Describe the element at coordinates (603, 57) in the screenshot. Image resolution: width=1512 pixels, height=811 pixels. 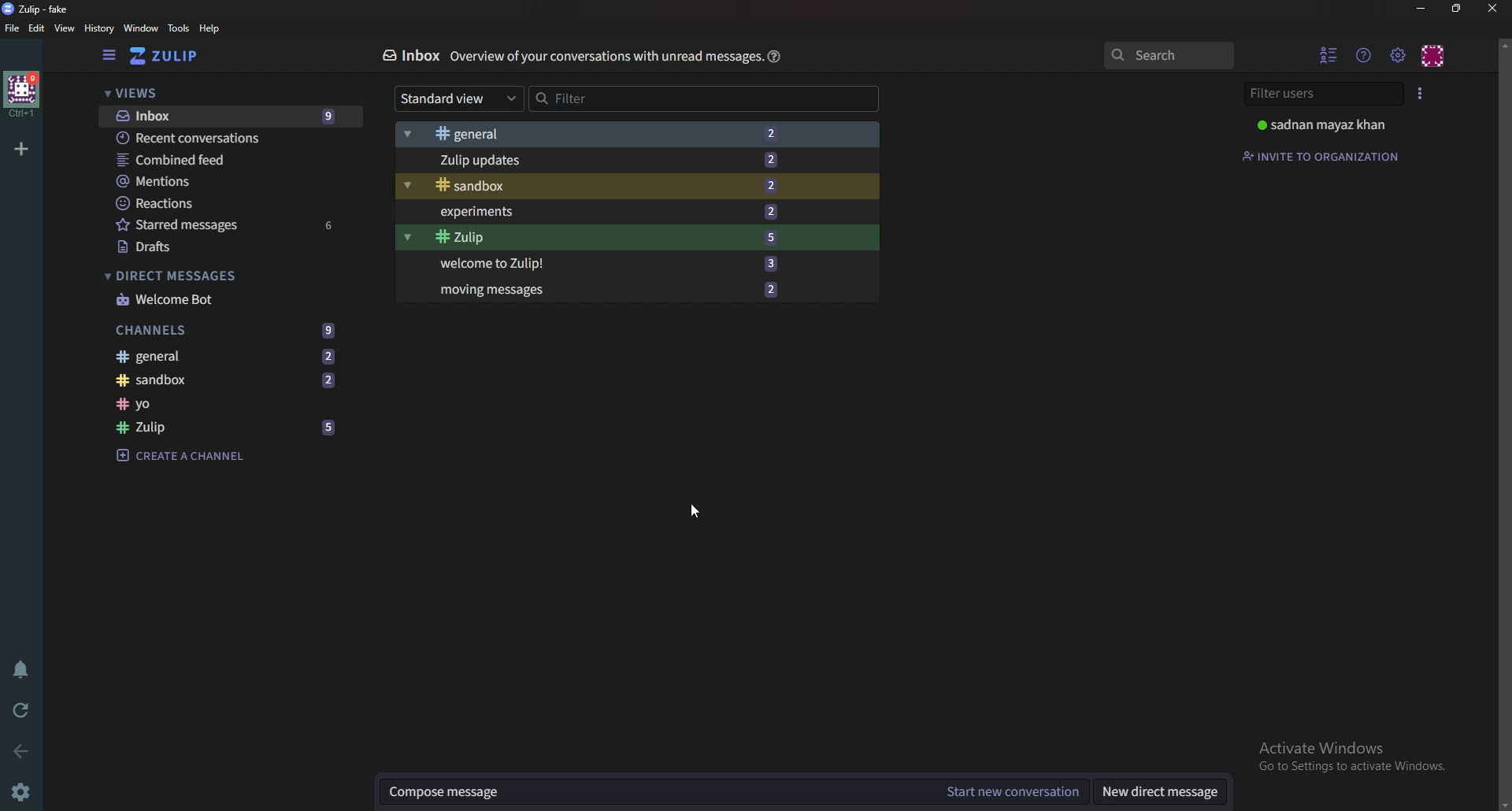
I see `Info` at that location.